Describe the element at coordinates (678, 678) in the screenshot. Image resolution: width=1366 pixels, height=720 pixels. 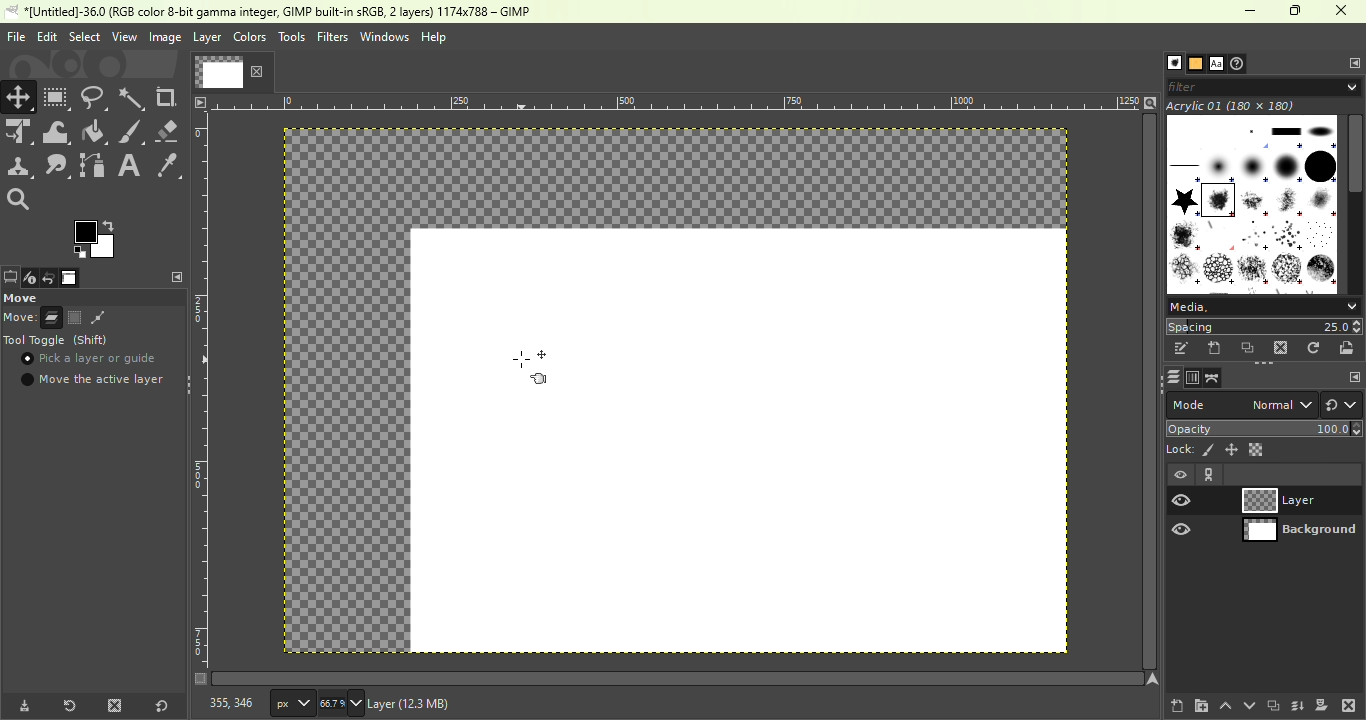
I see `Vertical scrollbar` at that location.